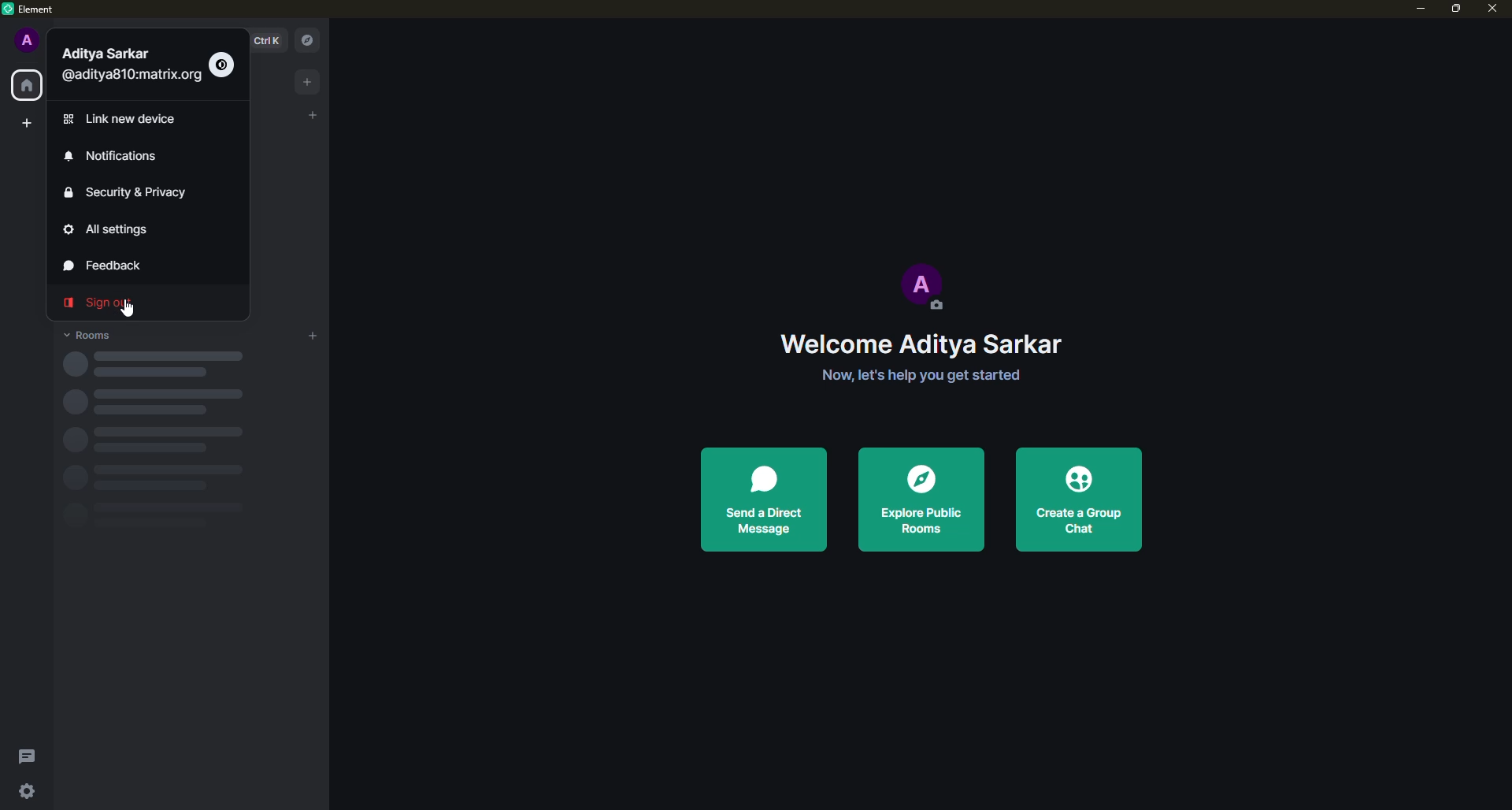 This screenshot has height=810, width=1512. I want to click on minimize, so click(1421, 12).